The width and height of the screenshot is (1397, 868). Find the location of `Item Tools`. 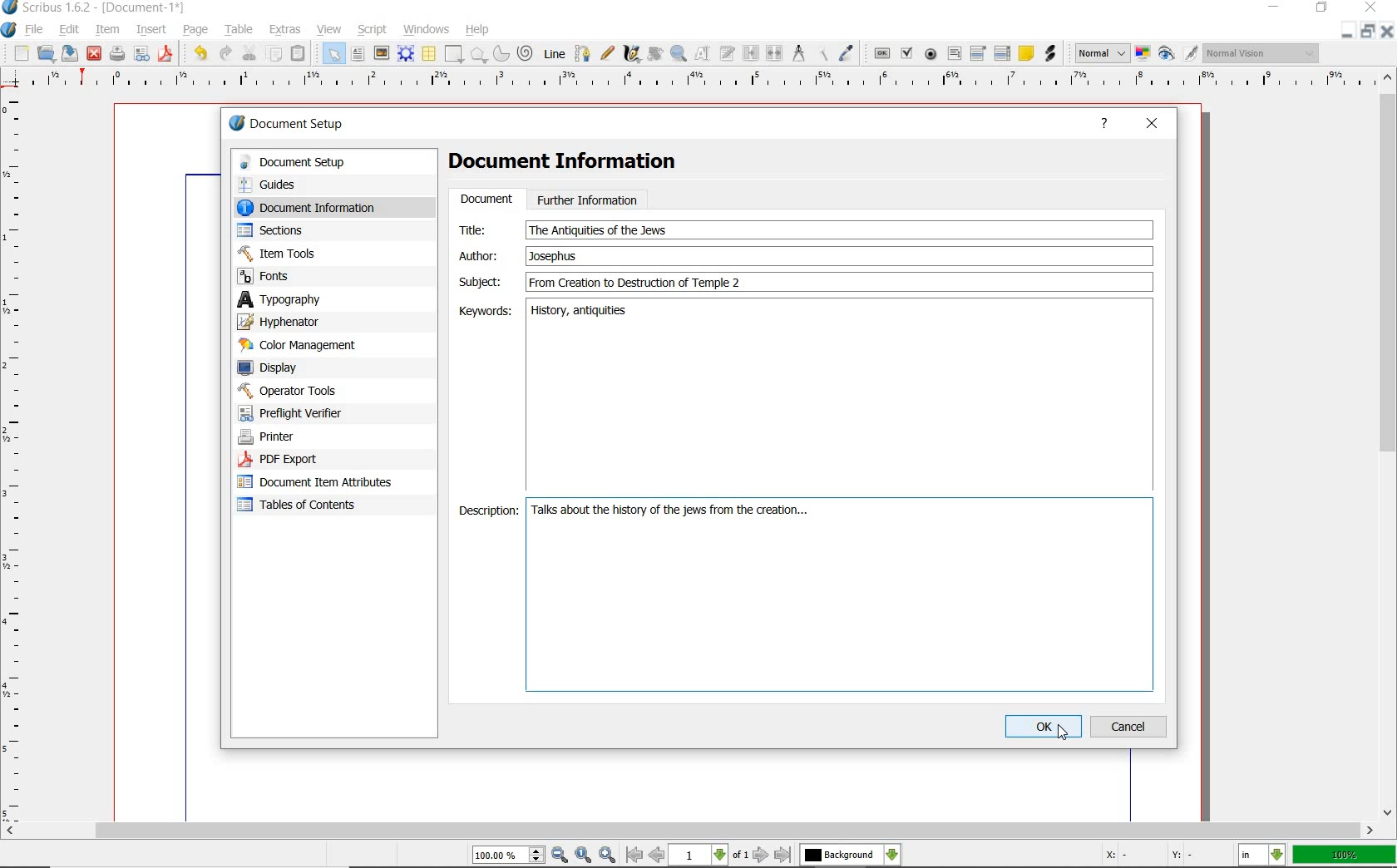

Item Tools is located at coordinates (315, 253).